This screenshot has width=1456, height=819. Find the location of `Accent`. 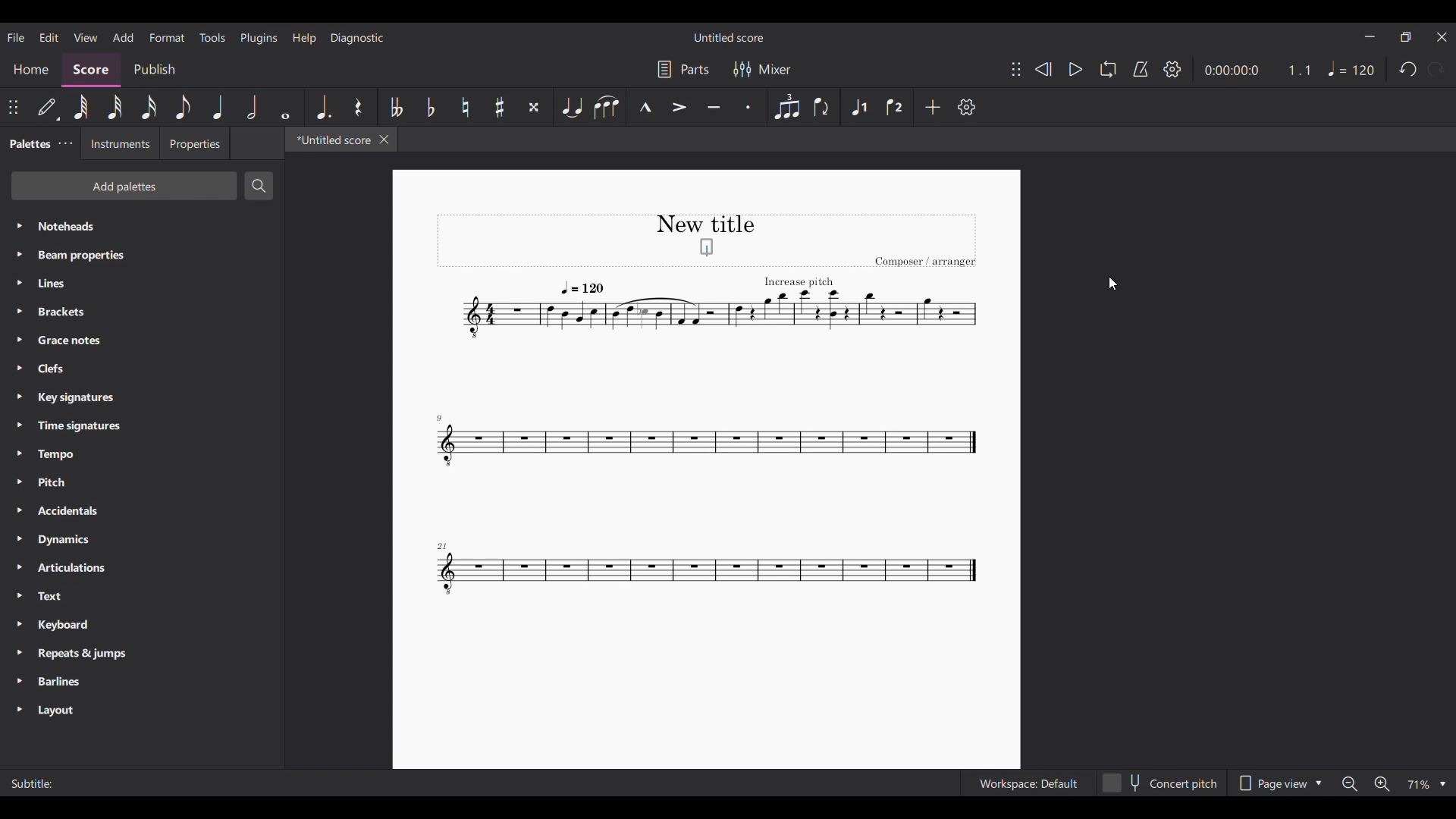

Accent is located at coordinates (679, 107).